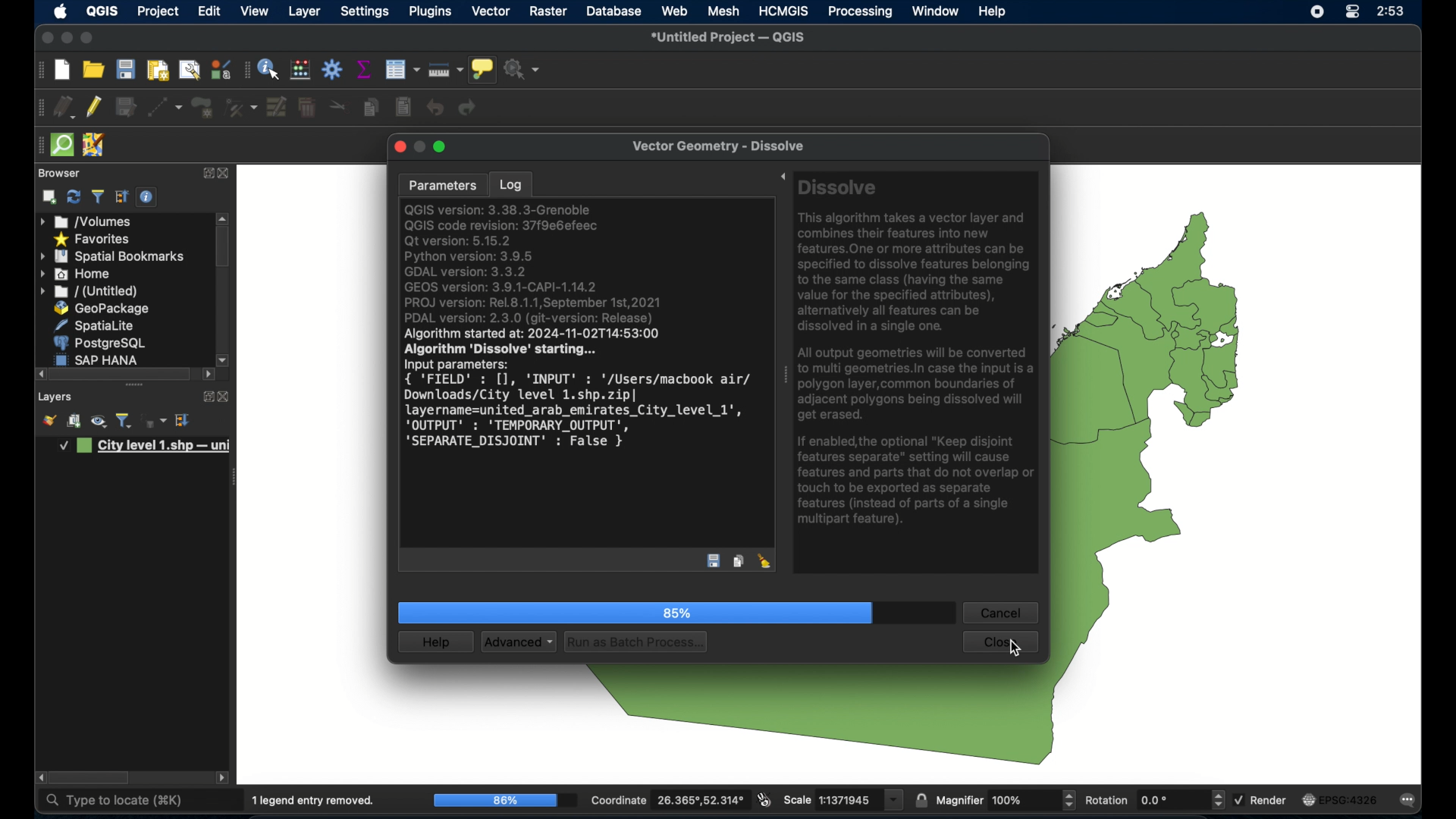 This screenshot has height=819, width=1456. What do you see at coordinates (739, 562) in the screenshot?
I see `copy features` at bounding box center [739, 562].